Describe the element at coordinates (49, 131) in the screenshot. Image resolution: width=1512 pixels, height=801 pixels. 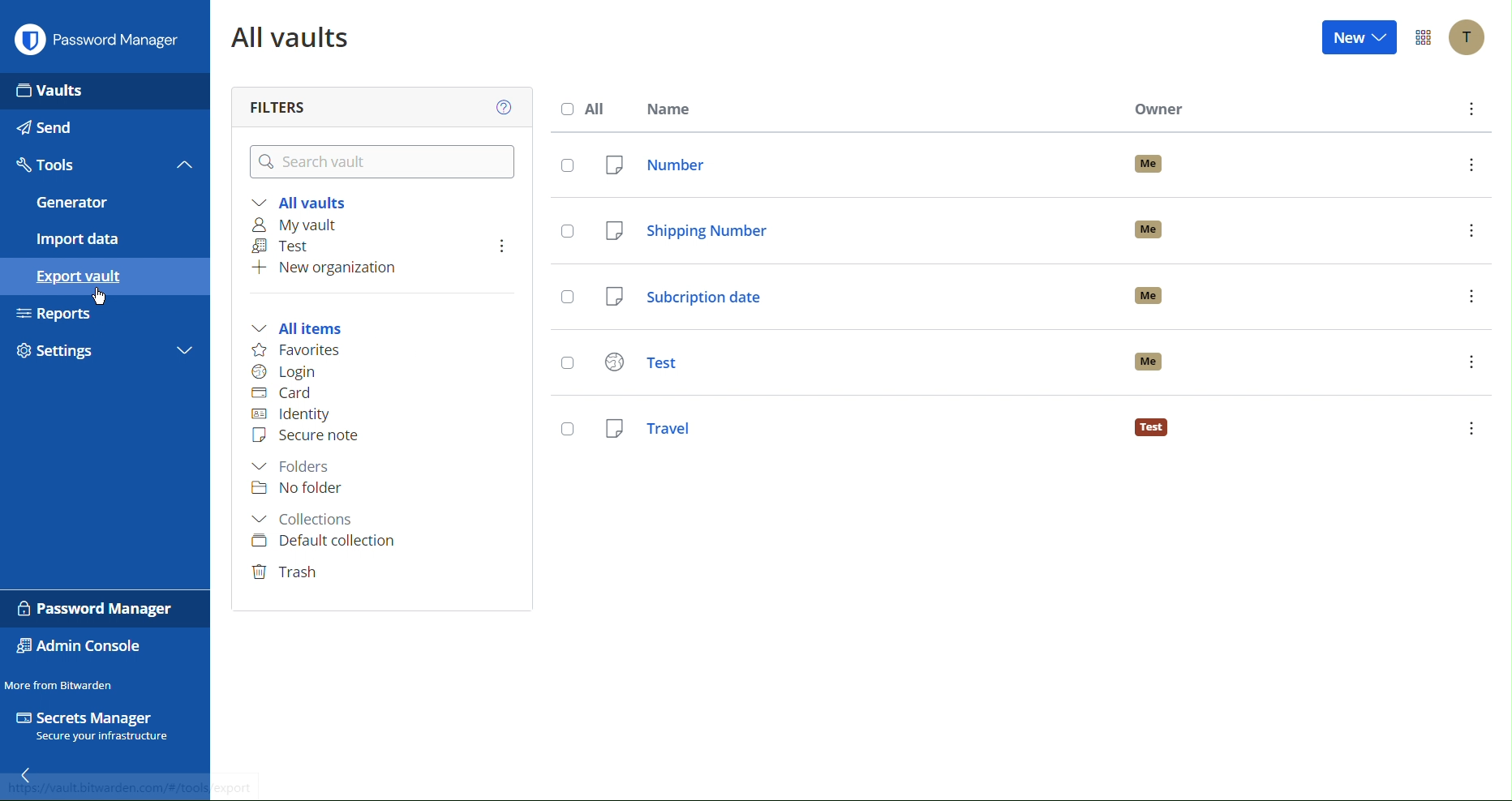
I see `Send` at that location.